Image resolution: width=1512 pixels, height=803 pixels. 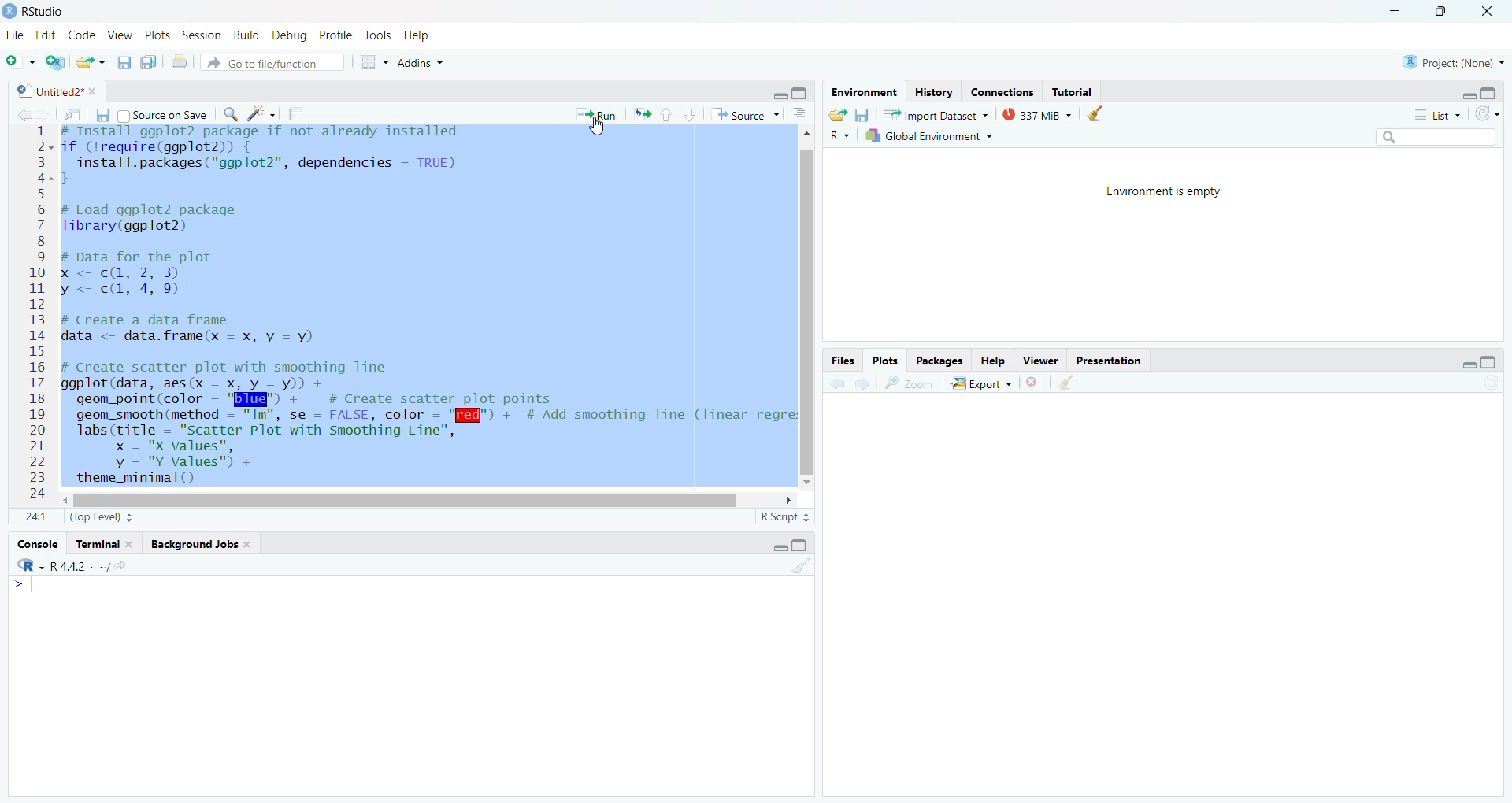 I want to click on go forward, so click(x=864, y=384).